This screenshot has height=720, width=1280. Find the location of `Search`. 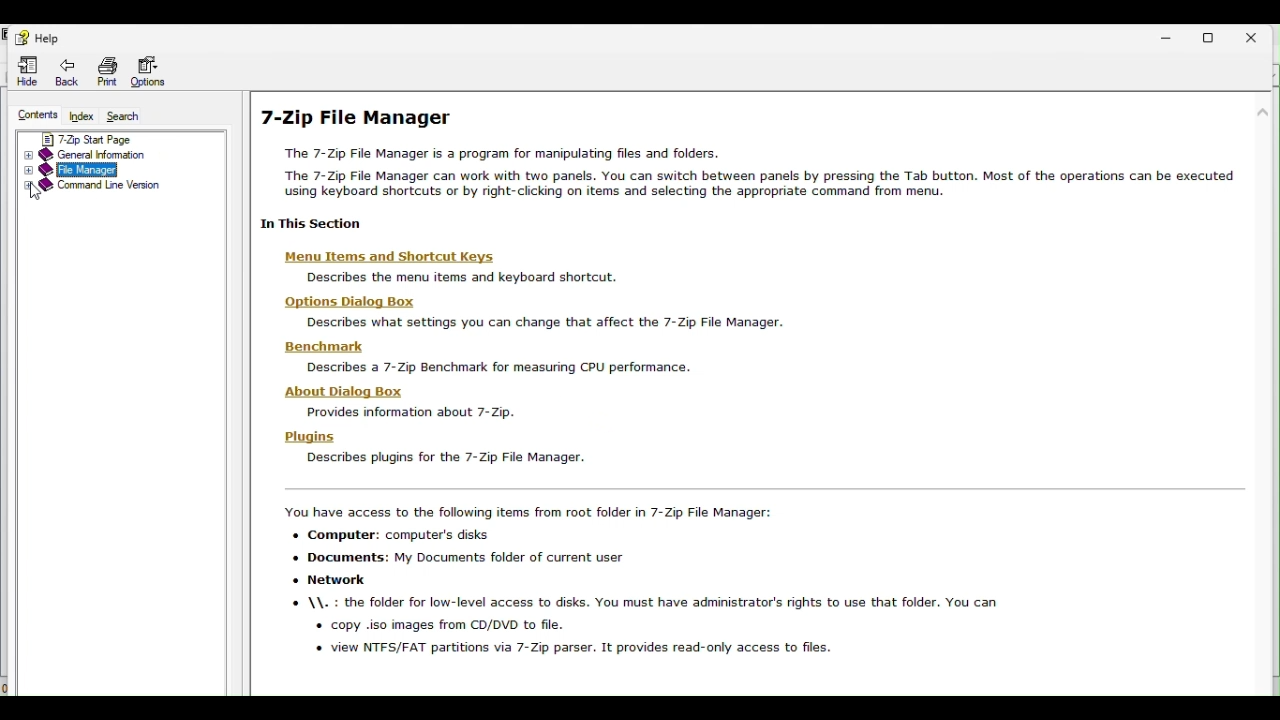

Search is located at coordinates (134, 116).